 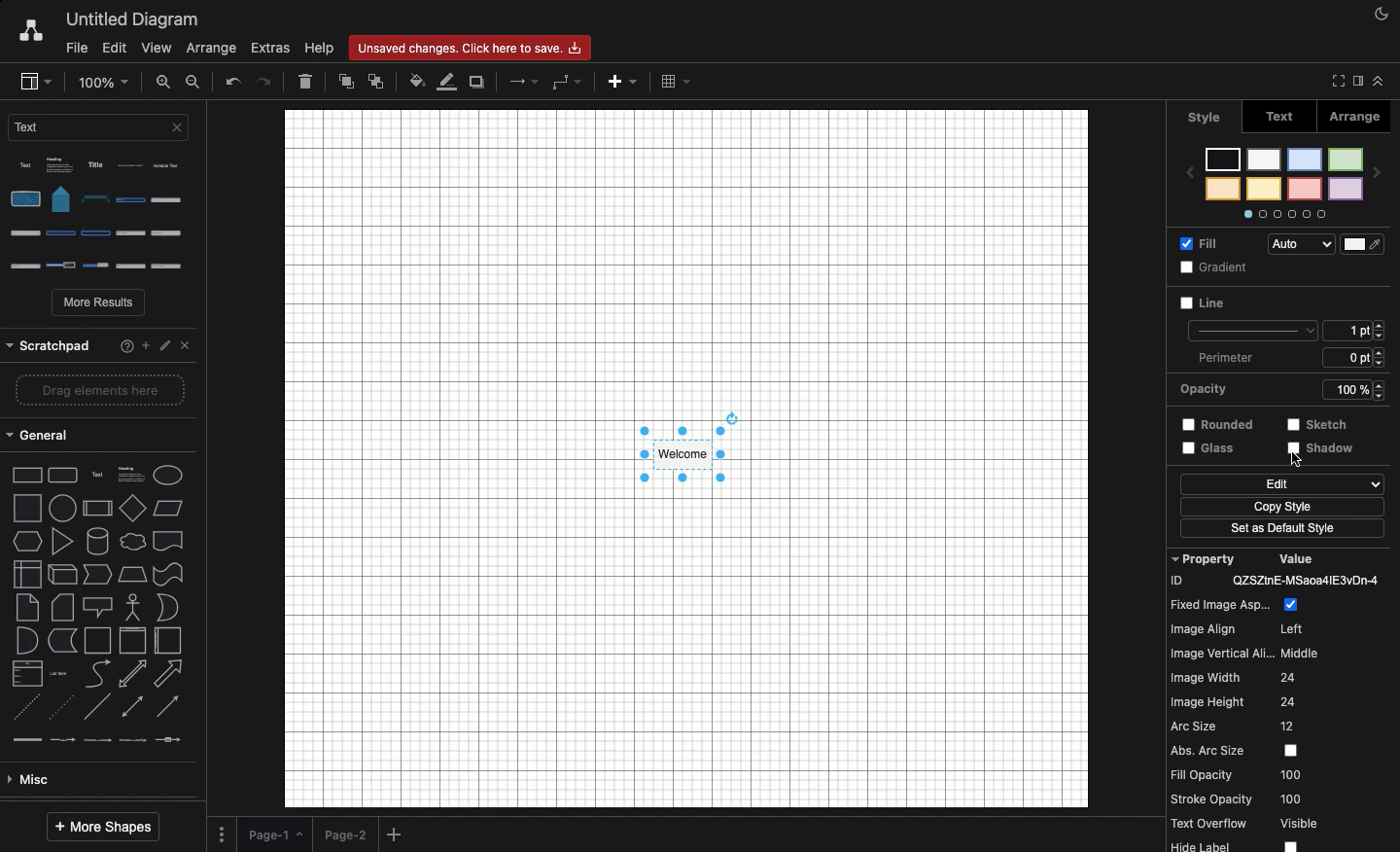 What do you see at coordinates (675, 81) in the screenshot?
I see `Table` at bounding box center [675, 81].